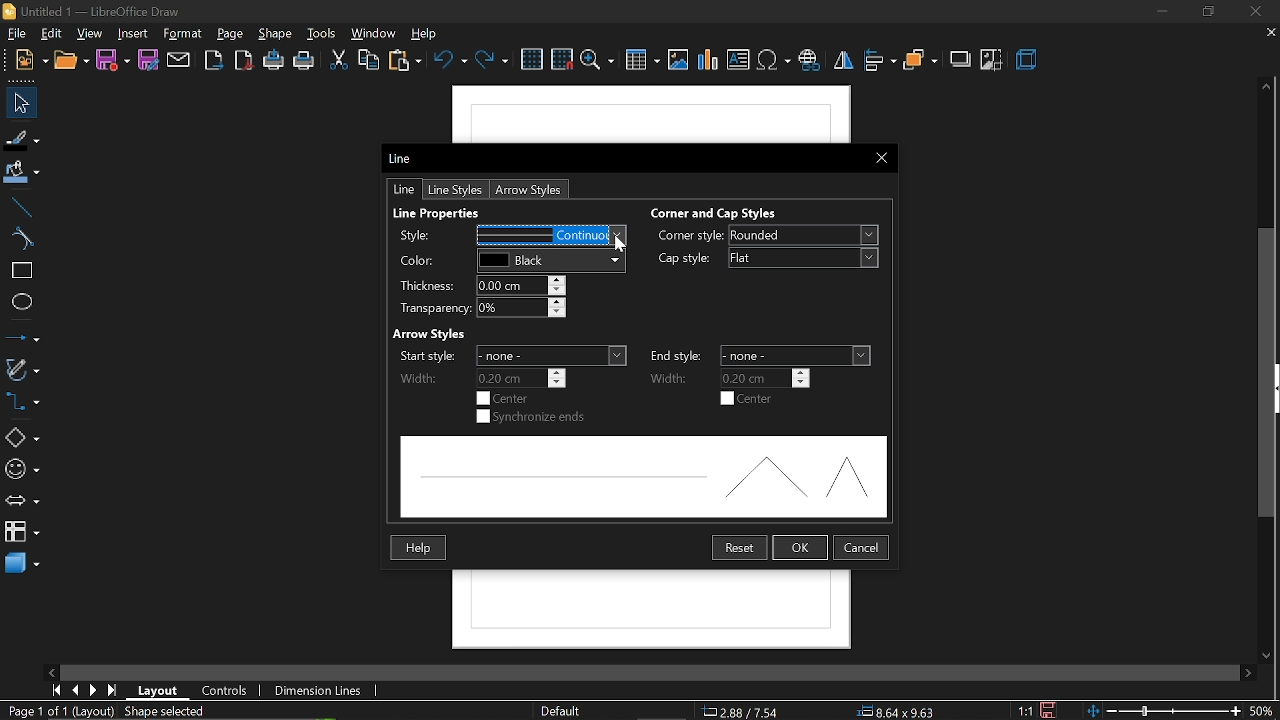 The width and height of the screenshot is (1280, 720). What do you see at coordinates (58, 712) in the screenshot?
I see `current page (Page 1 of 1 (Layout))` at bounding box center [58, 712].